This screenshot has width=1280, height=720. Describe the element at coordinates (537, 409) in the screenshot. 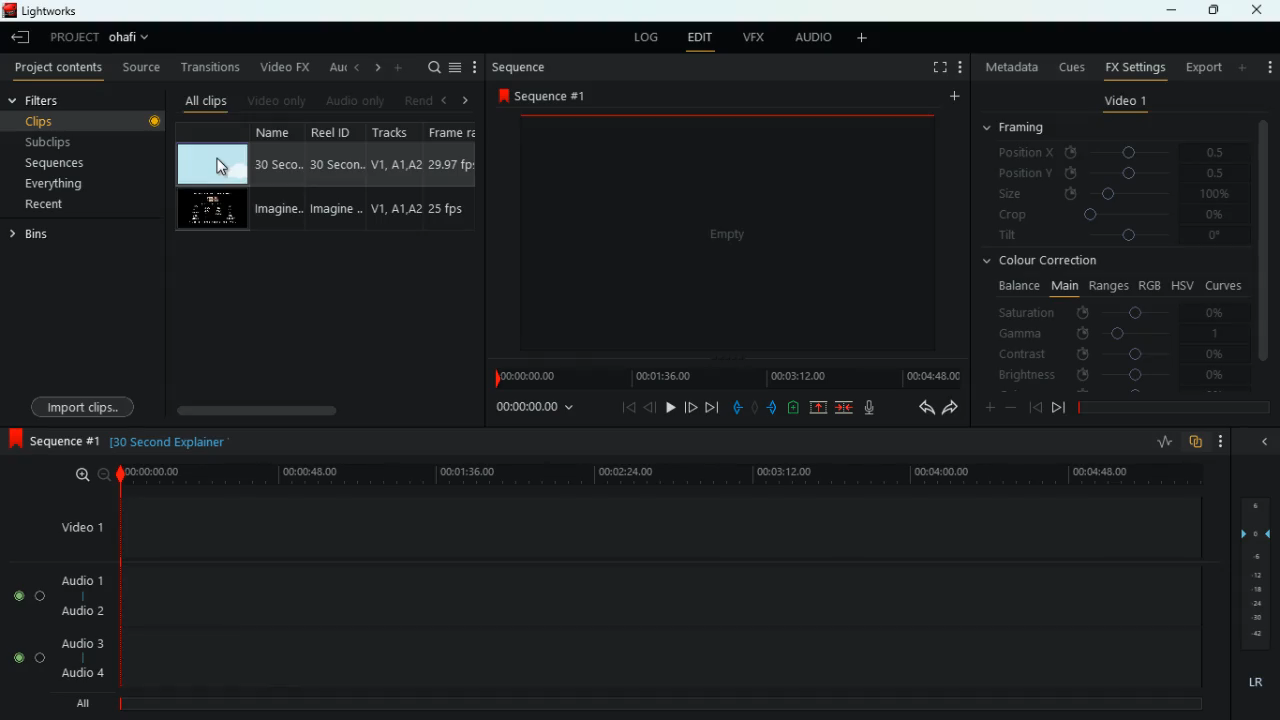

I see `time` at that location.